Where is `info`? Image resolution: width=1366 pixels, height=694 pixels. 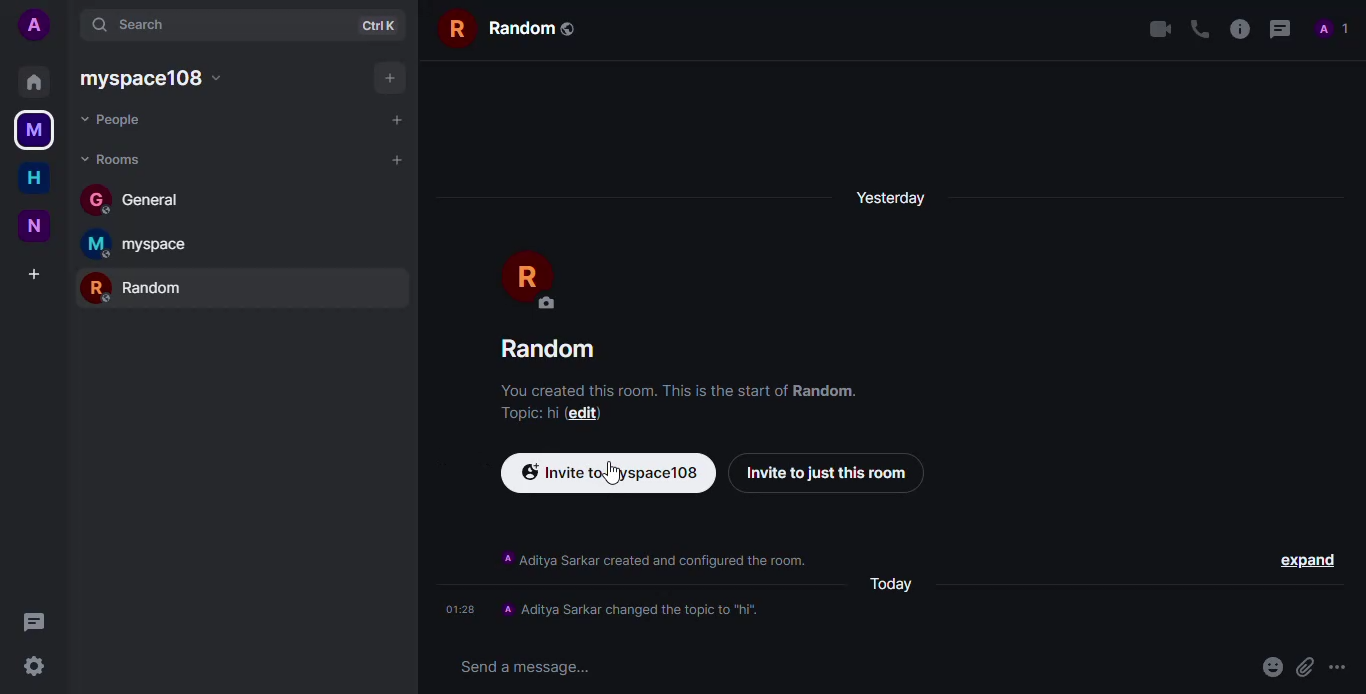 info is located at coordinates (1238, 30).